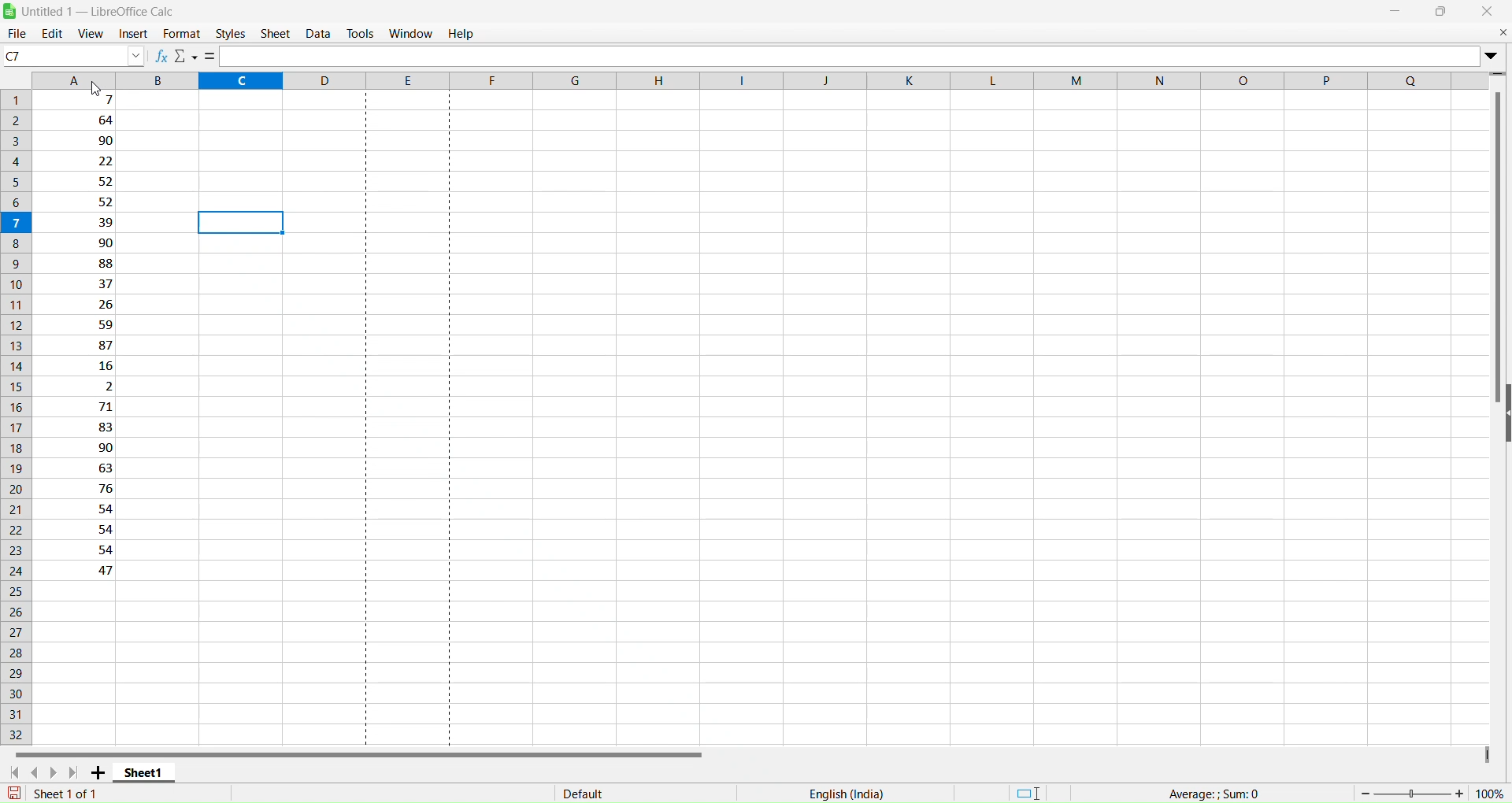 This screenshot has width=1512, height=803. What do you see at coordinates (1493, 53) in the screenshot?
I see `Expand` at bounding box center [1493, 53].